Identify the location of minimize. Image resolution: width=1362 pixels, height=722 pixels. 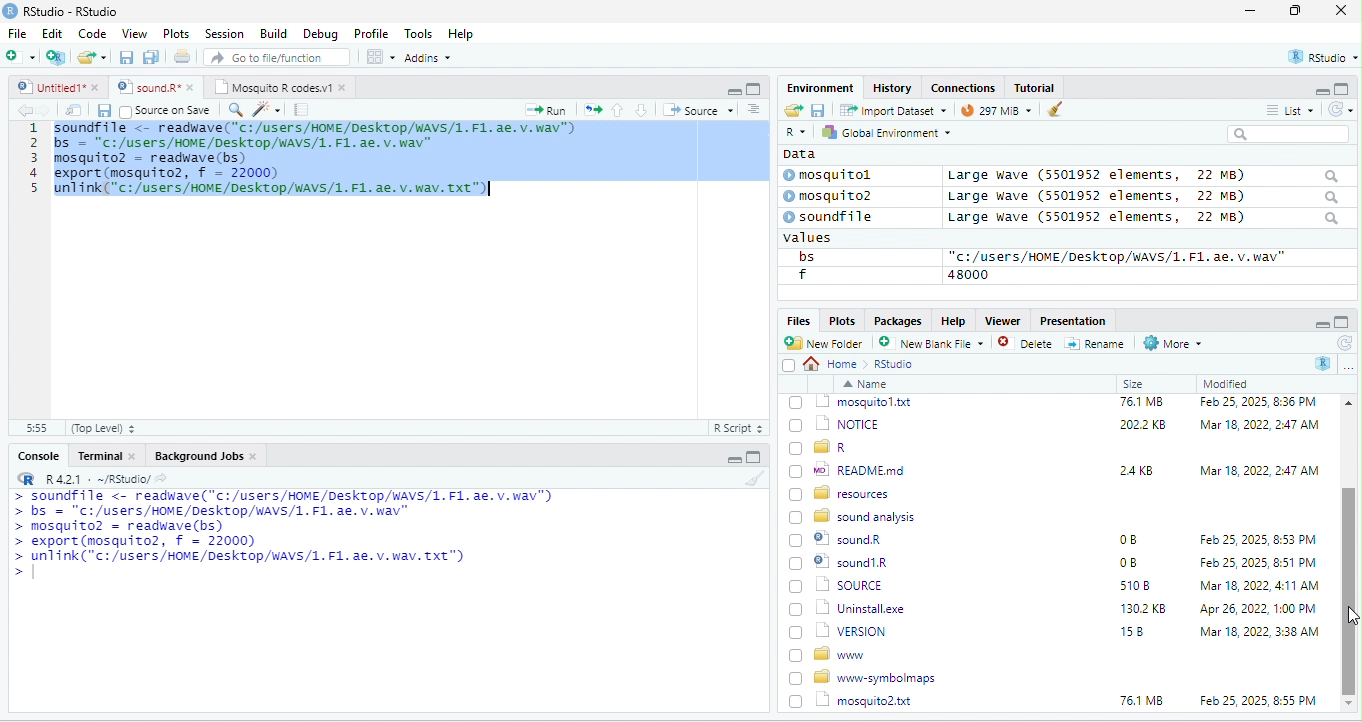
(733, 90).